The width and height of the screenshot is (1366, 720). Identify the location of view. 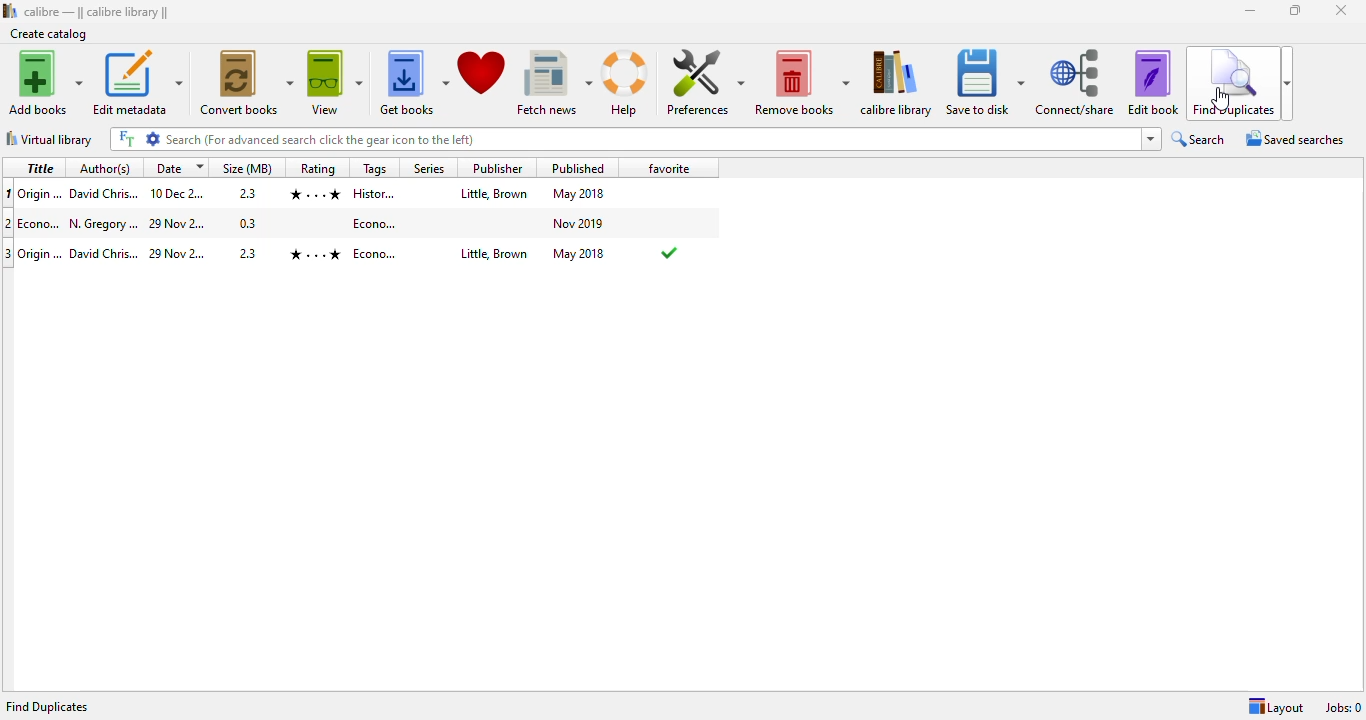
(334, 82).